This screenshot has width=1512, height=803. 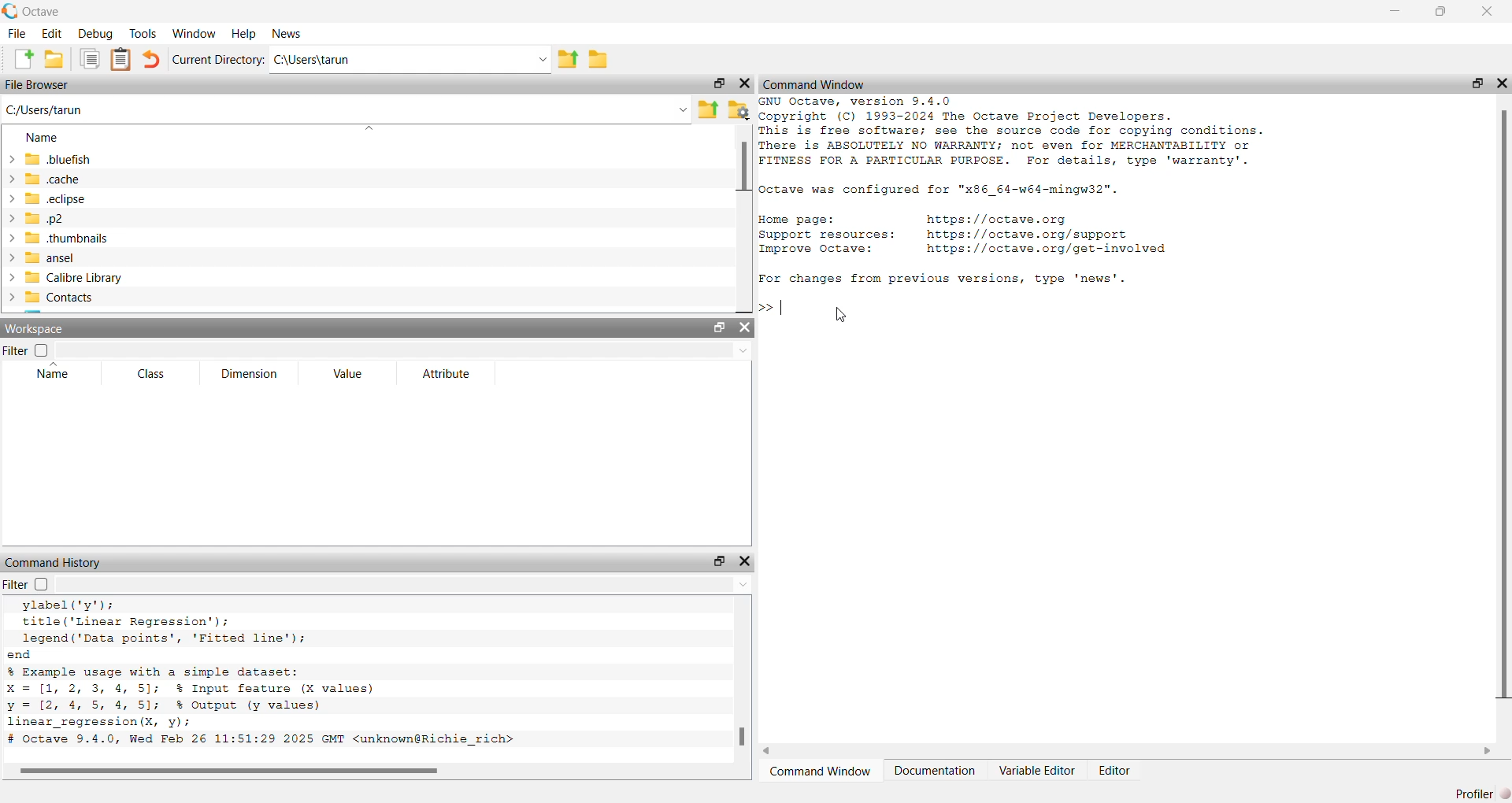 What do you see at coordinates (98, 238) in the screenshot?
I see `.thumbnails` at bounding box center [98, 238].